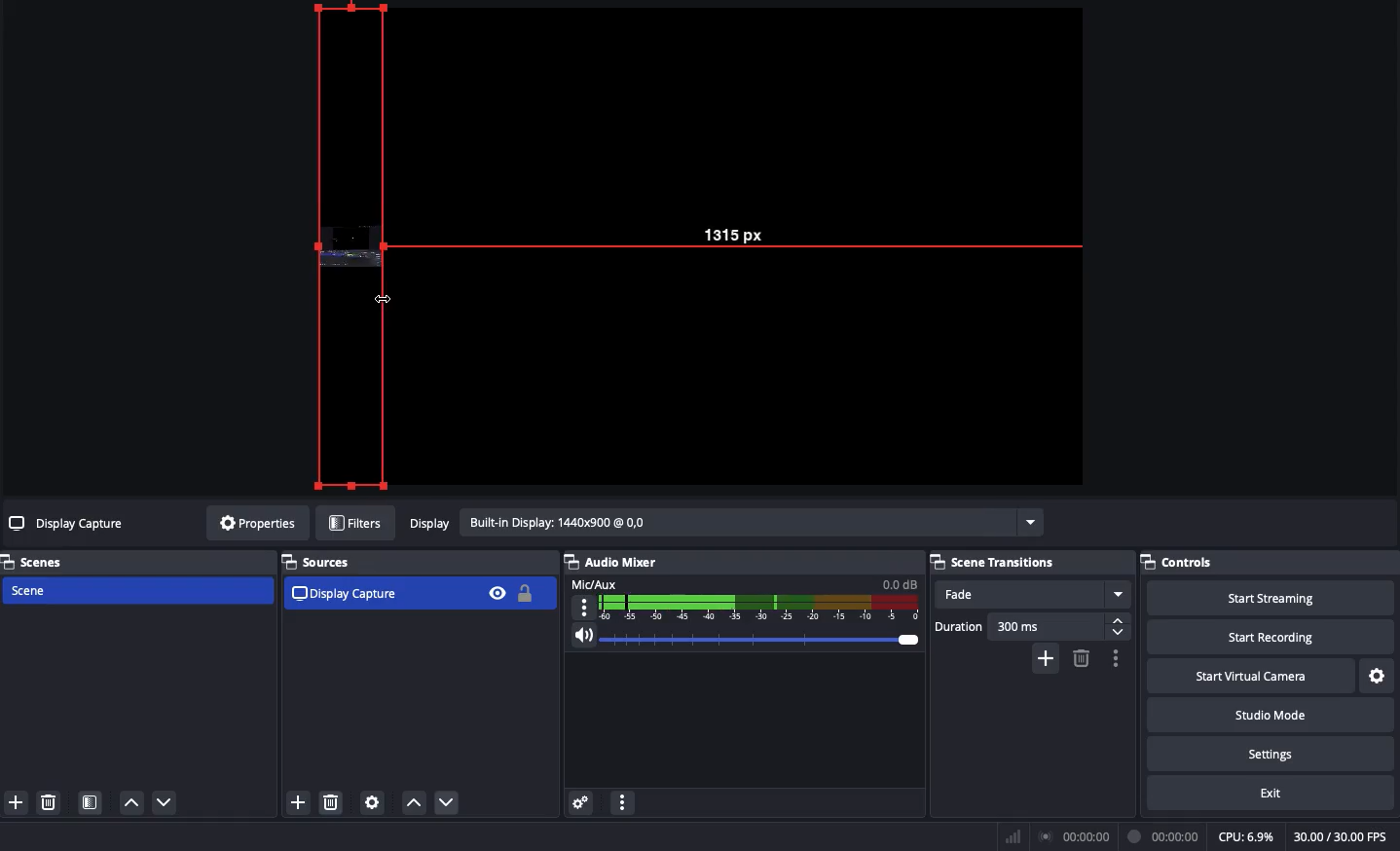  I want to click on Scene transition, so click(996, 562).